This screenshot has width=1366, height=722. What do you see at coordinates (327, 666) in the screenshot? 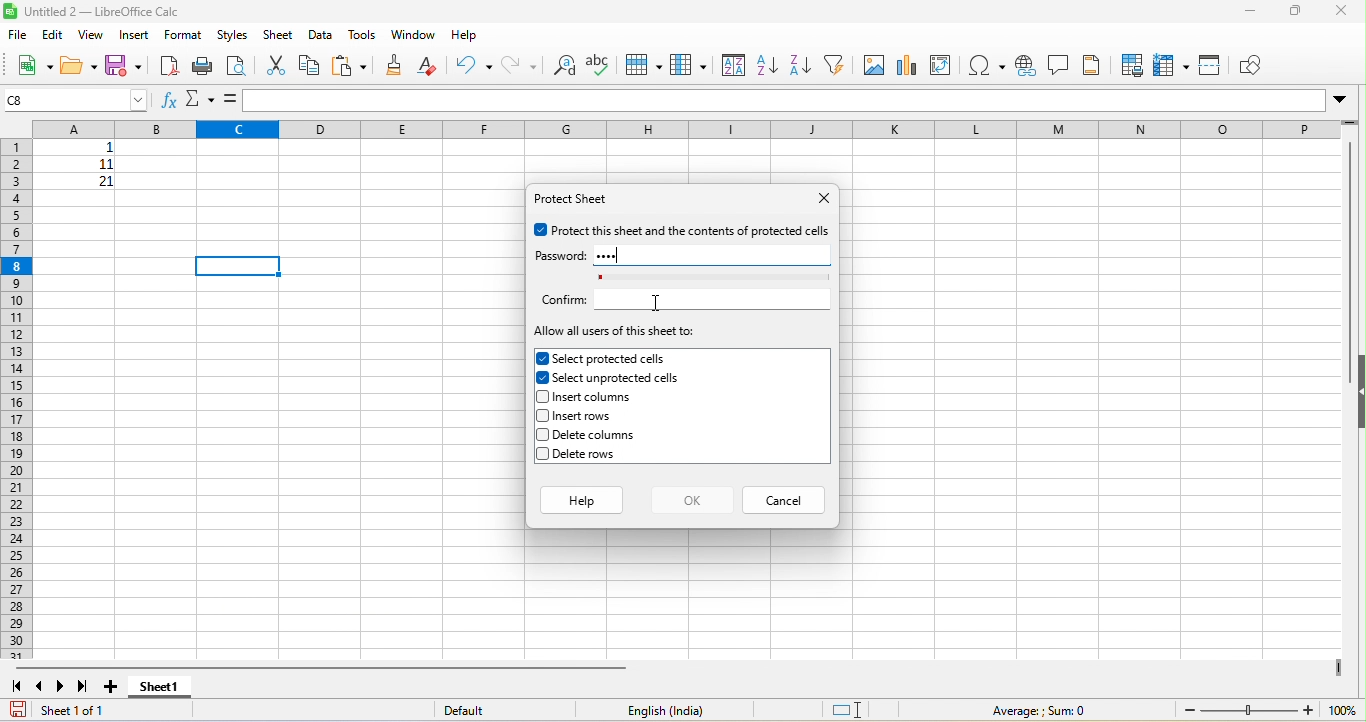
I see `horizontal scroll bar` at bounding box center [327, 666].